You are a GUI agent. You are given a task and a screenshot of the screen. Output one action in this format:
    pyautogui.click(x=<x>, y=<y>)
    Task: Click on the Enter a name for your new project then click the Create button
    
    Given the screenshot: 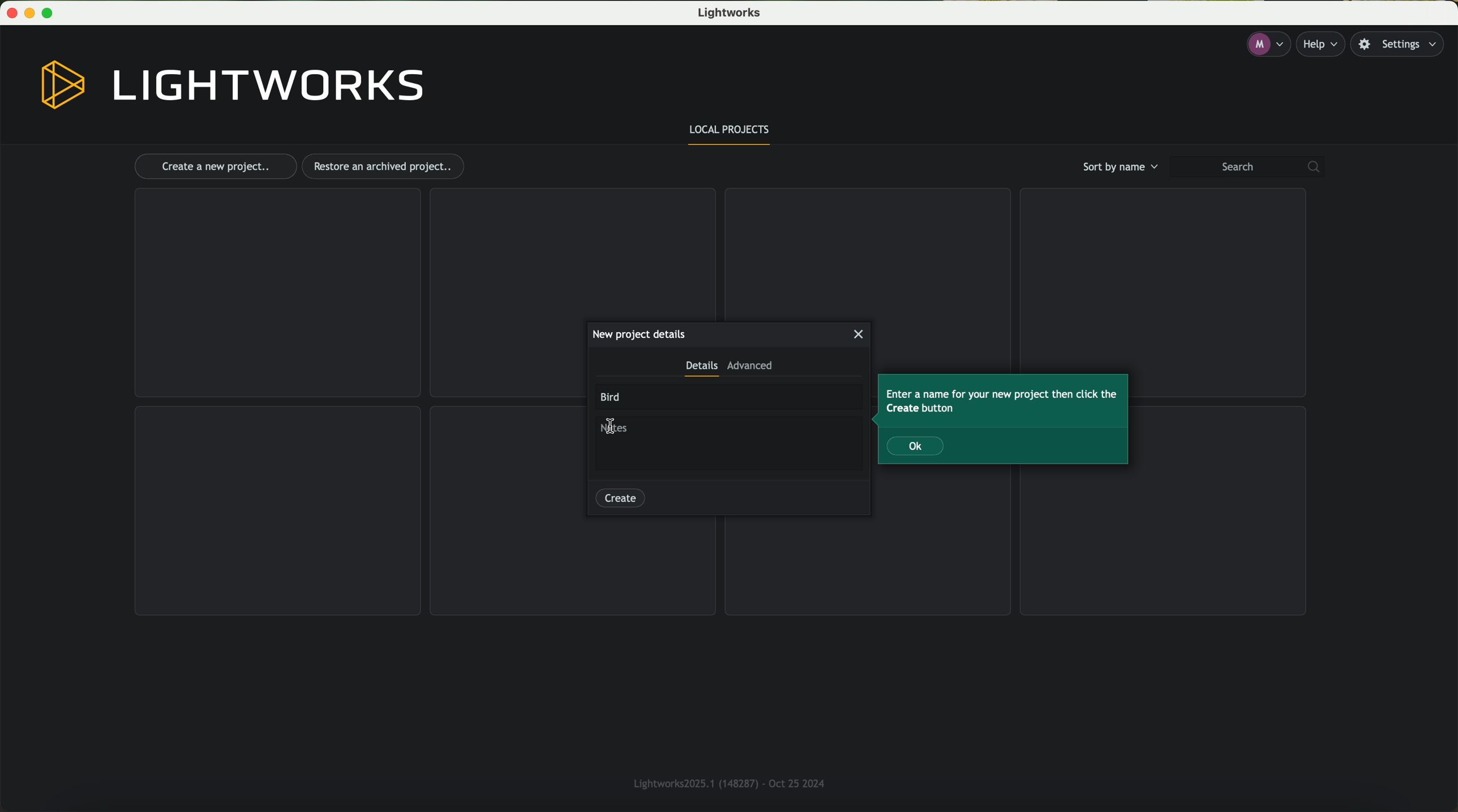 What is the action you would take?
    pyautogui.click(x=1003, y=401)
    